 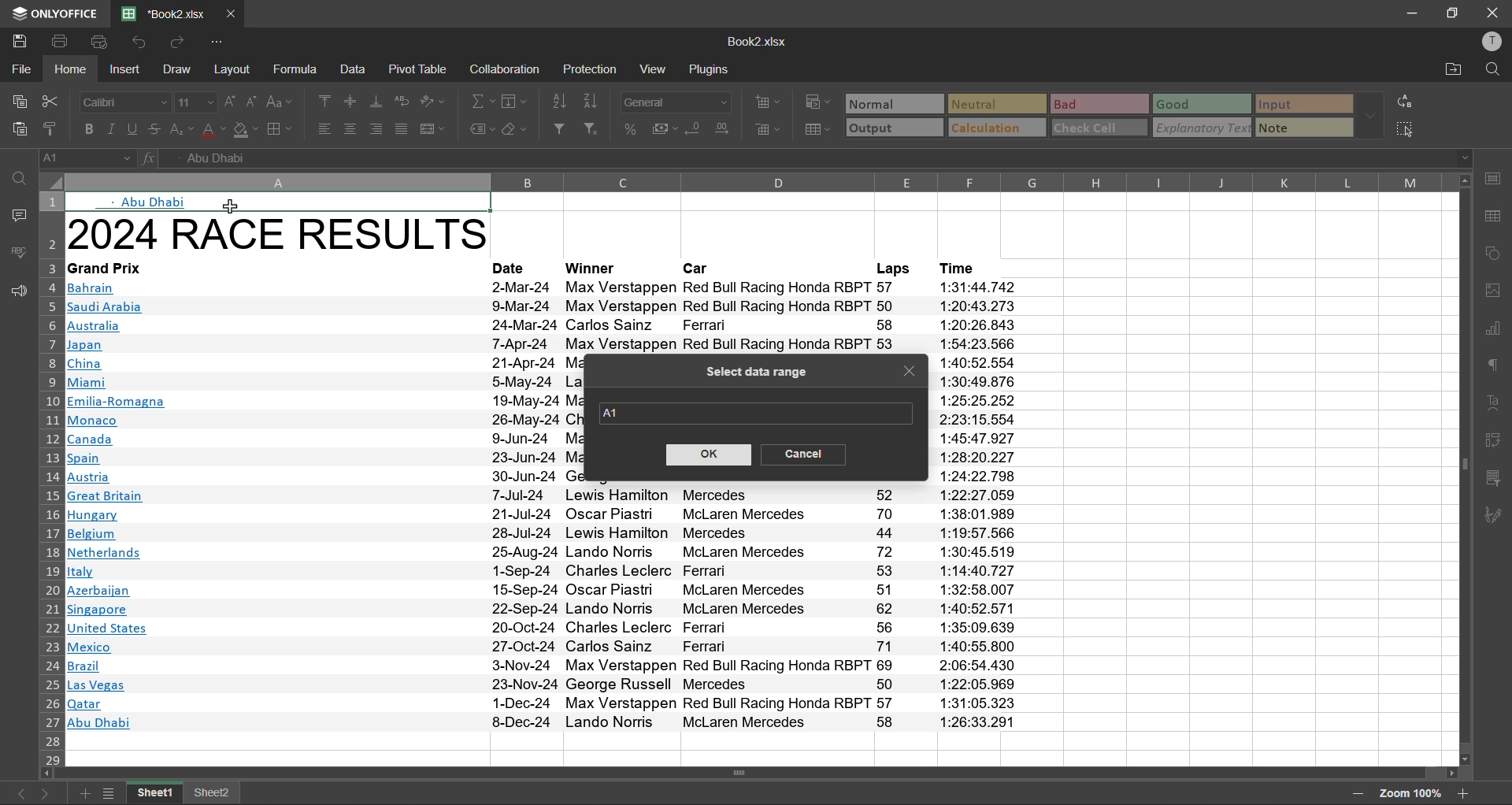 I want to click on decrement size, so click(x=254, y=101).